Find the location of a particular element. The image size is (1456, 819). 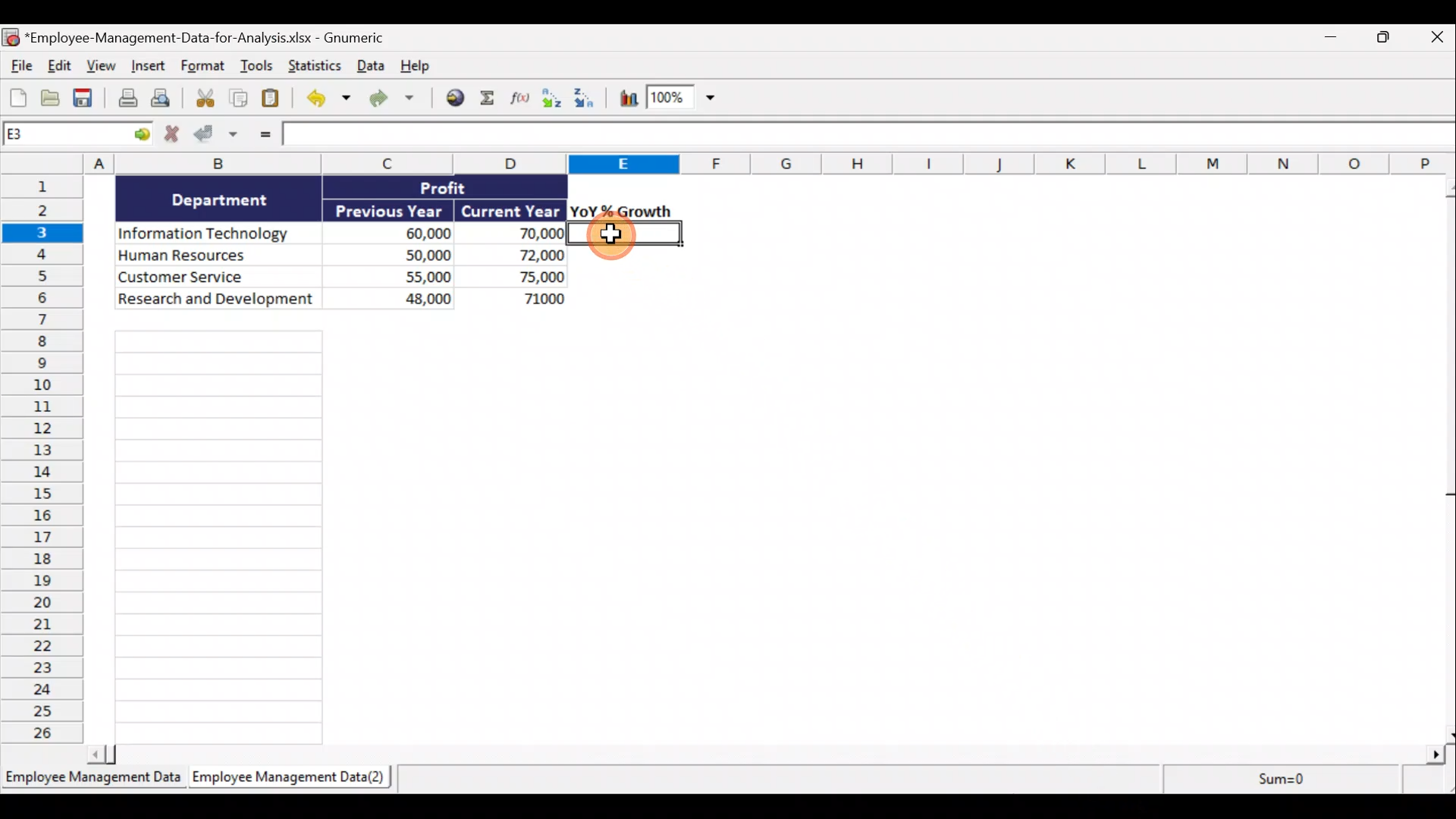

Formula bar is located at coordinates (870, 136).